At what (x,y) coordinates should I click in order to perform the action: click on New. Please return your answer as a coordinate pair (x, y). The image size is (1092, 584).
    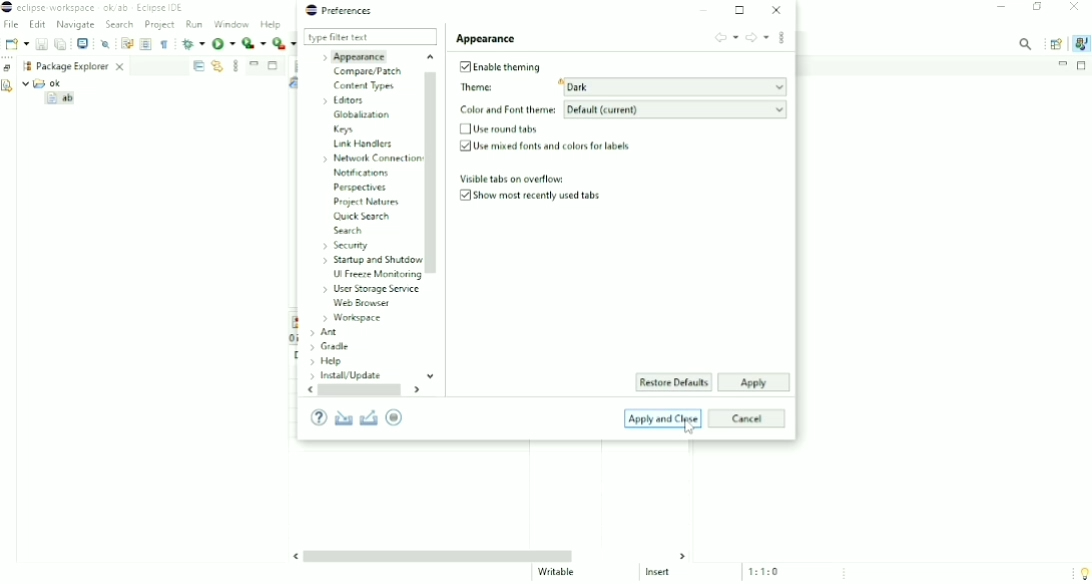
    Looking at the image, I should click on (15, 44).